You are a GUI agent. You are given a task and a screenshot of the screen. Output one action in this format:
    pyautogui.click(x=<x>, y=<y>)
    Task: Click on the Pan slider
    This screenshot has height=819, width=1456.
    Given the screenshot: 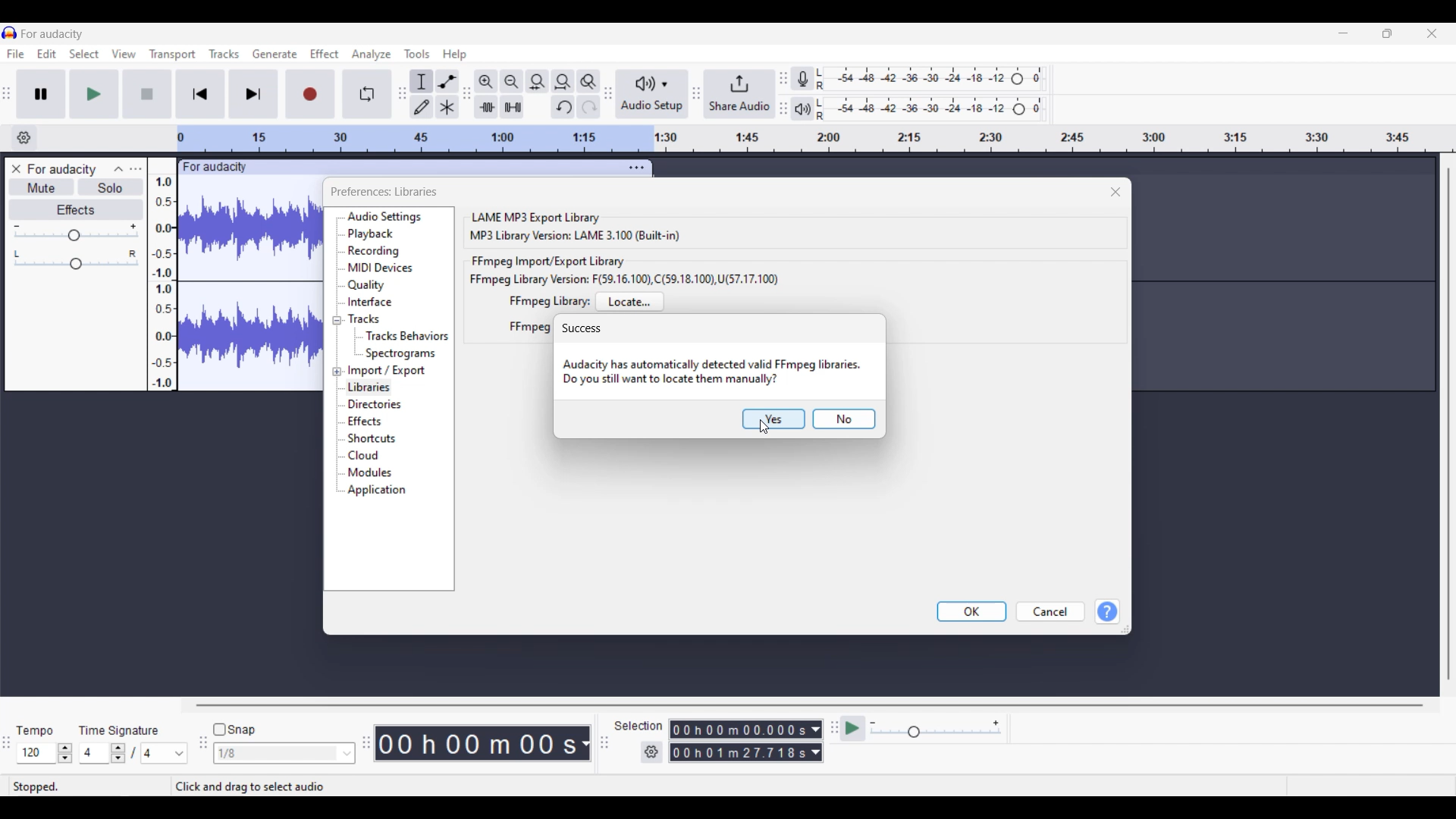 What is the action you would take?
    pyautogui.click(x=77, y=259)
    